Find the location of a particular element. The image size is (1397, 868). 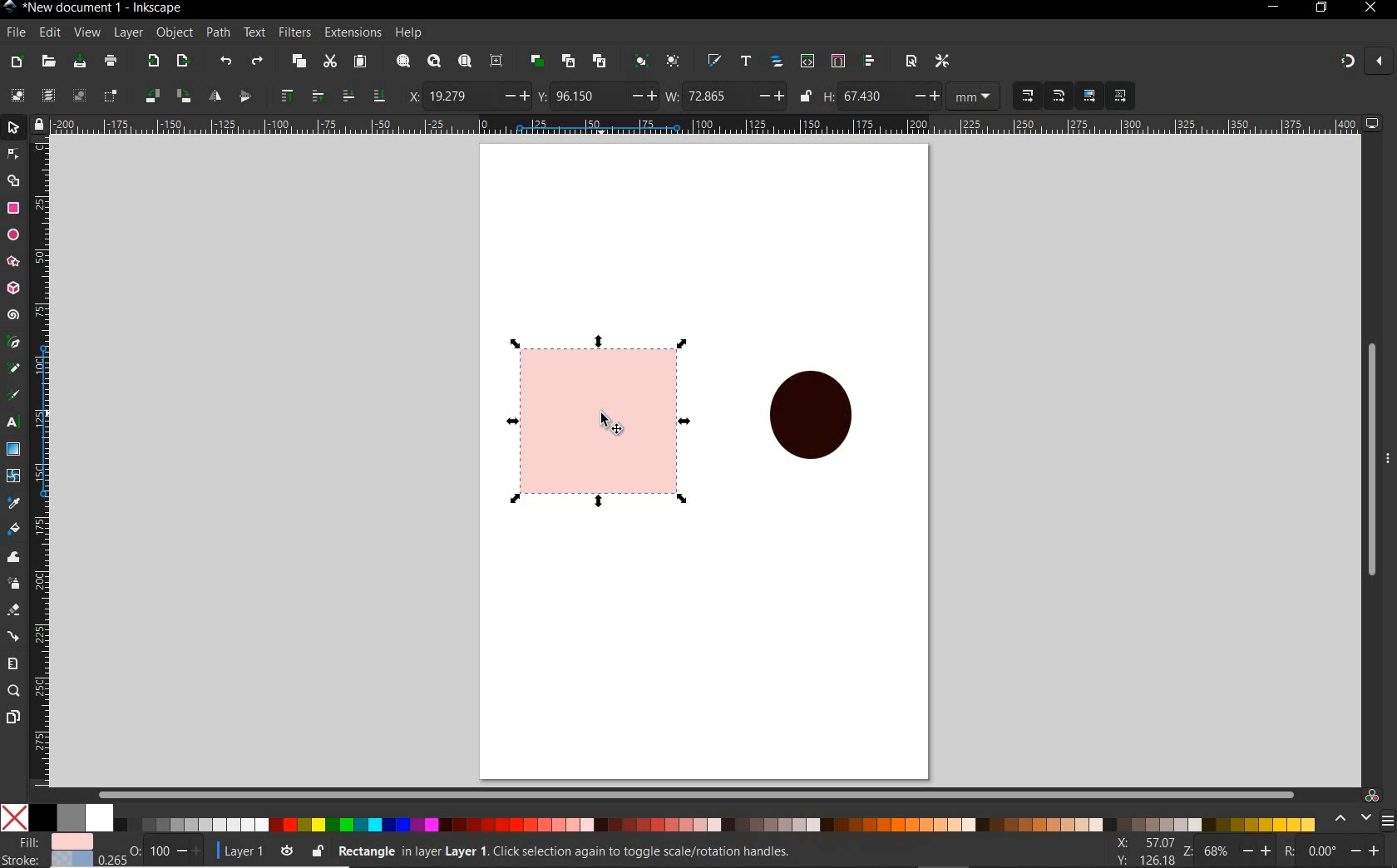

mesh tool is located at coordinates (13, 476).